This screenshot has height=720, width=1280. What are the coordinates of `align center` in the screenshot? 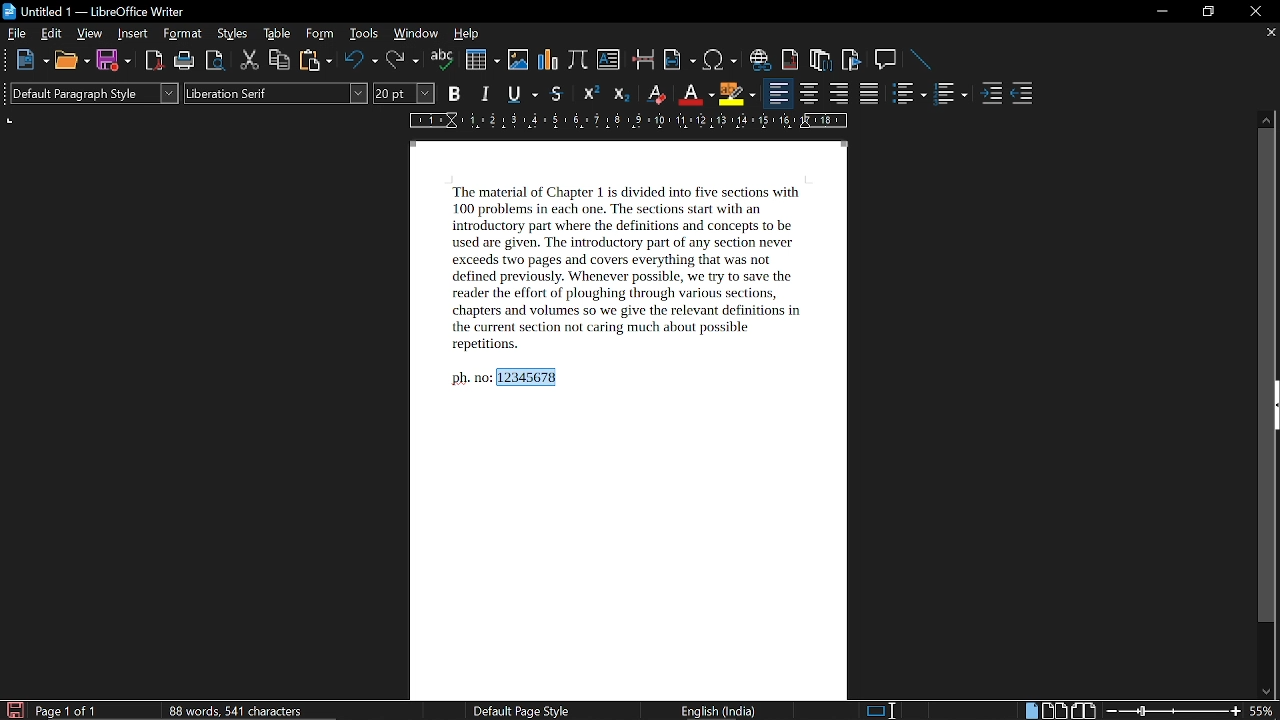 It's located at (810, 95).